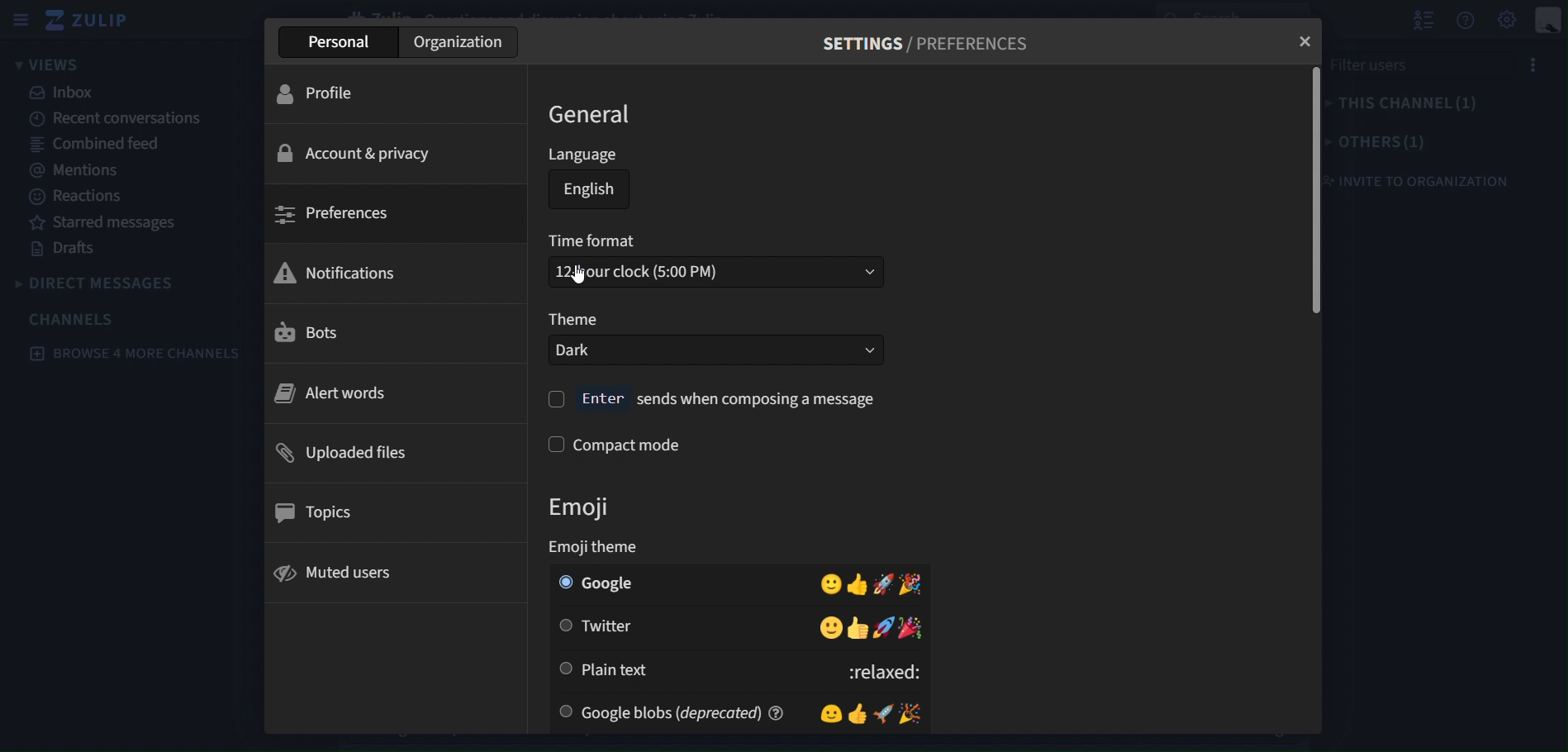  What do you see at coordinates (1407, 103) in the screenshot?
I see `this channel(1)` at bounding box center [1407, 103].